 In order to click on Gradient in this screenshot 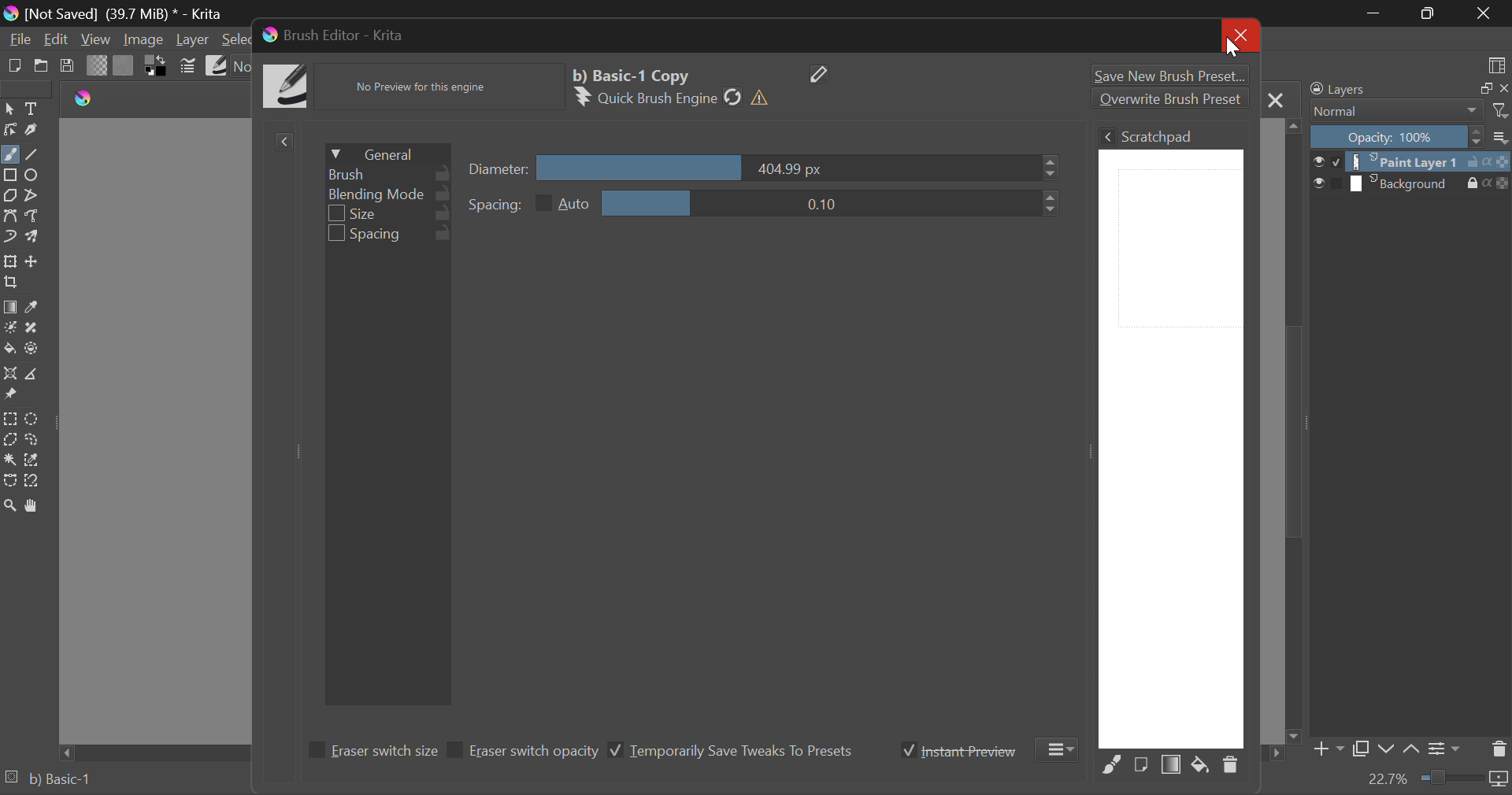, I will do `click(98, 65)`.